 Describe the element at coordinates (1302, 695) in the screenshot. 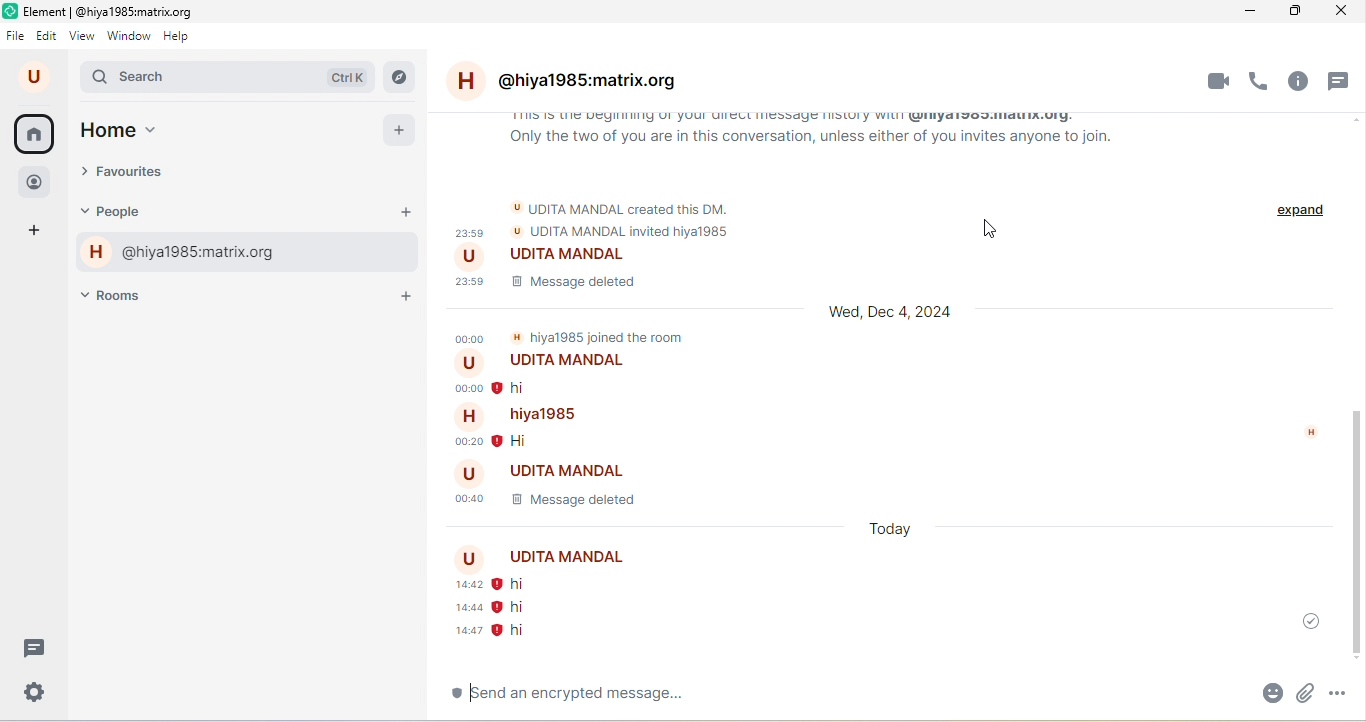

I see `more option` at that location.